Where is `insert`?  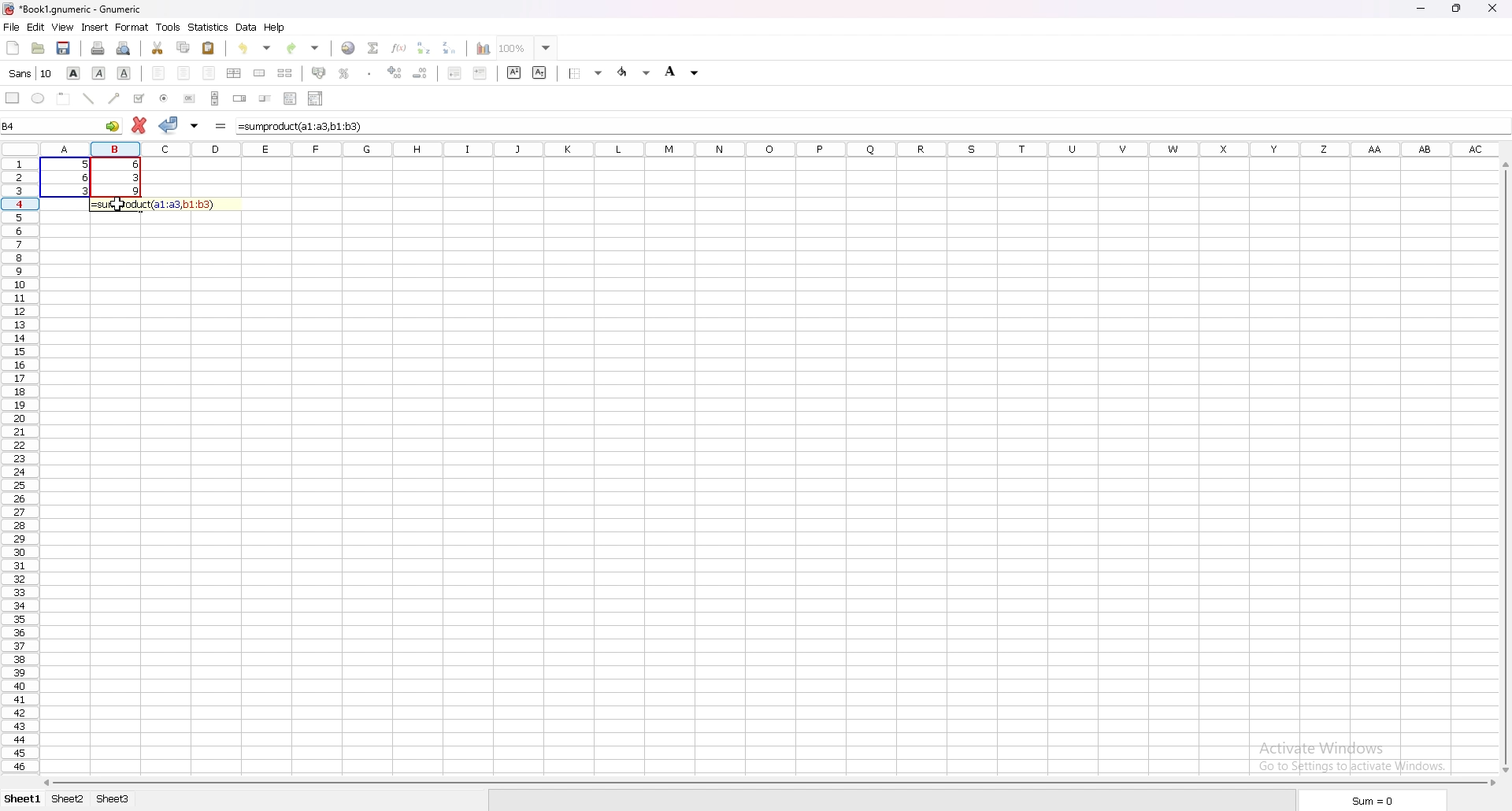 insert is located at coordinates (94, 28).